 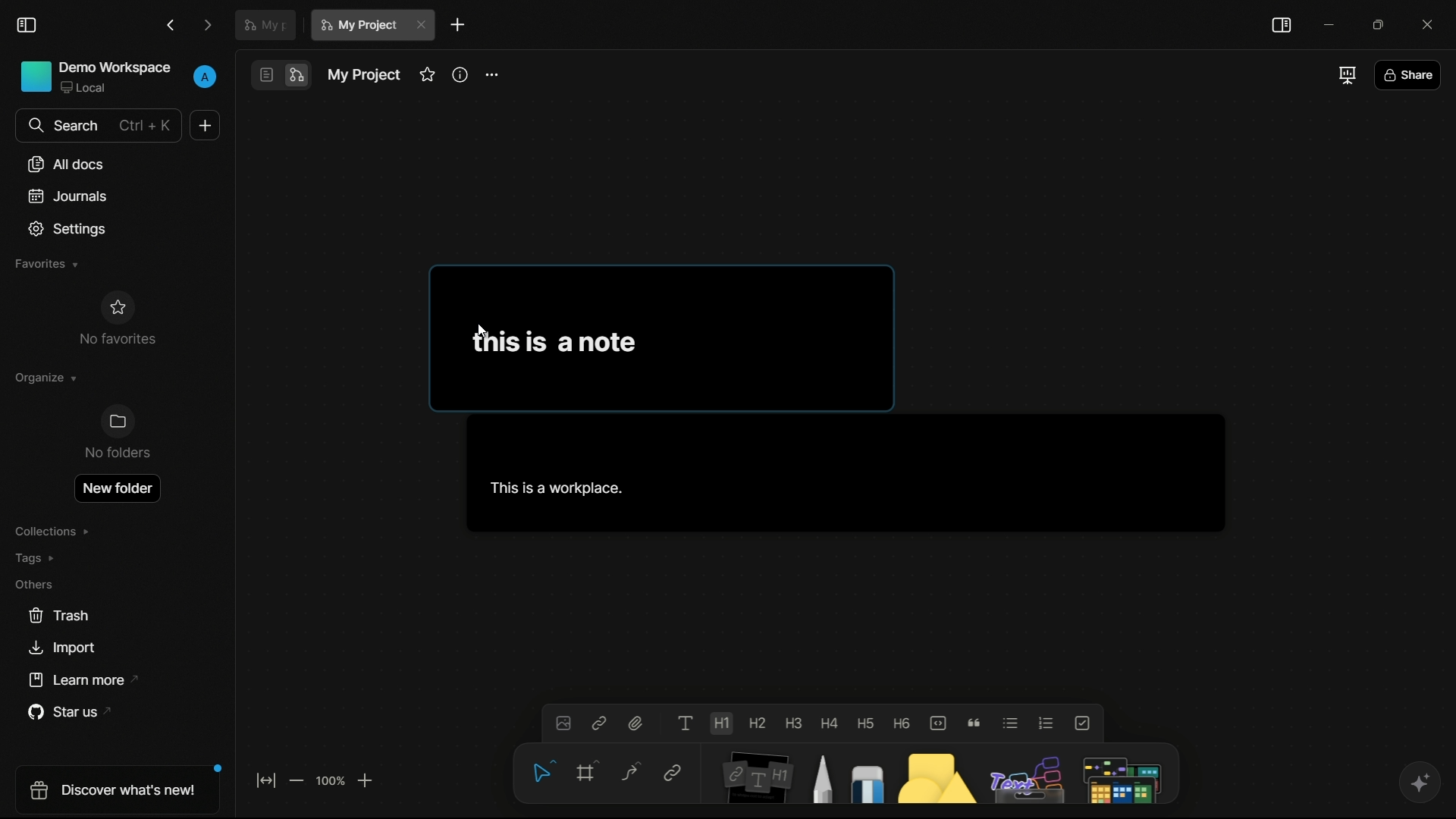 I want to click on zoom factor, so click(x=330, y=782).